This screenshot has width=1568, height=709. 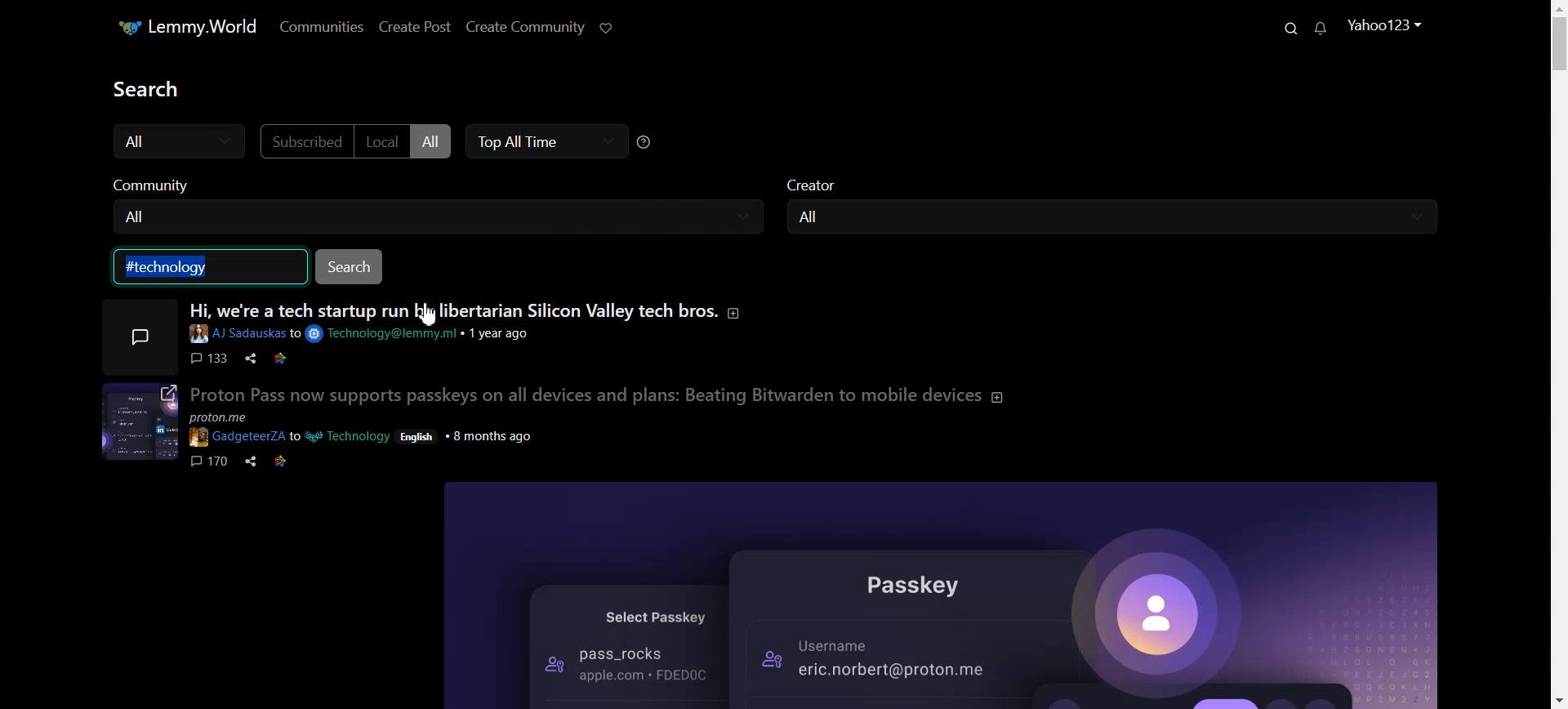 What do you see at coordinates (1118, 188) in the screenshot?
I see `Creator` at bounding box center [1118, 188].